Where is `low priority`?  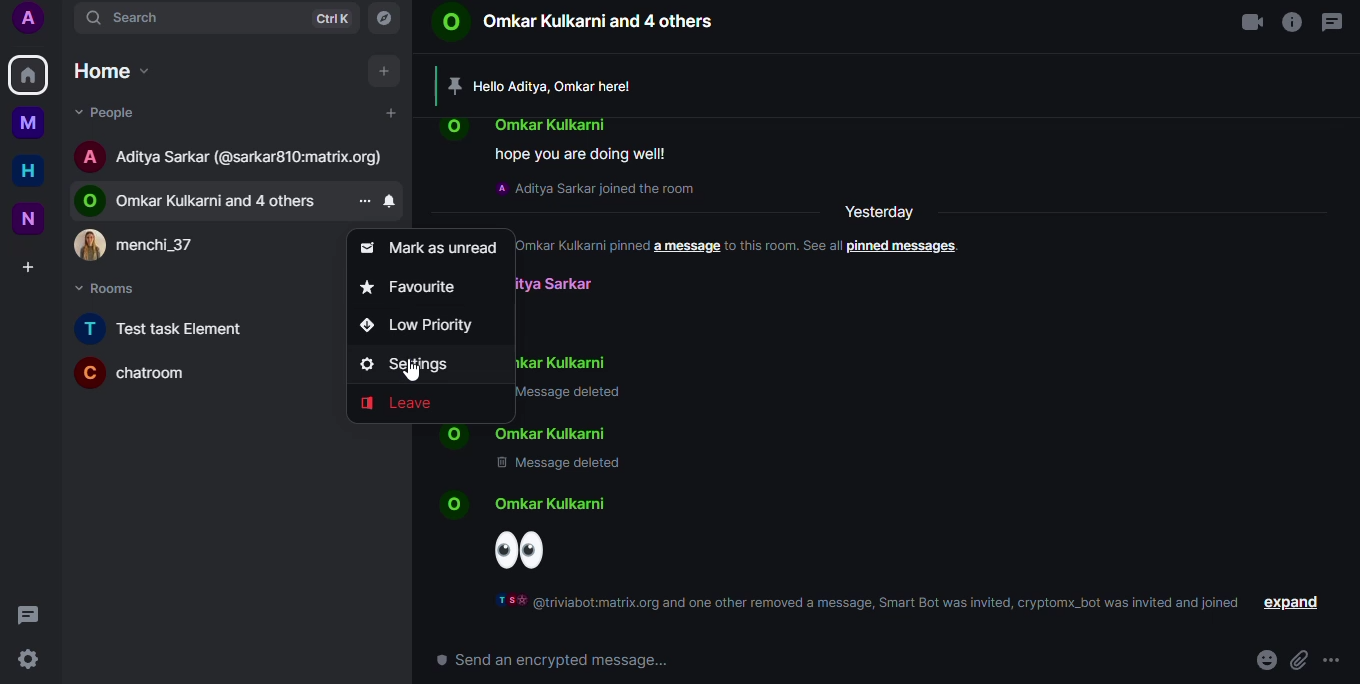
low priority is located at coordinates (424, 324).